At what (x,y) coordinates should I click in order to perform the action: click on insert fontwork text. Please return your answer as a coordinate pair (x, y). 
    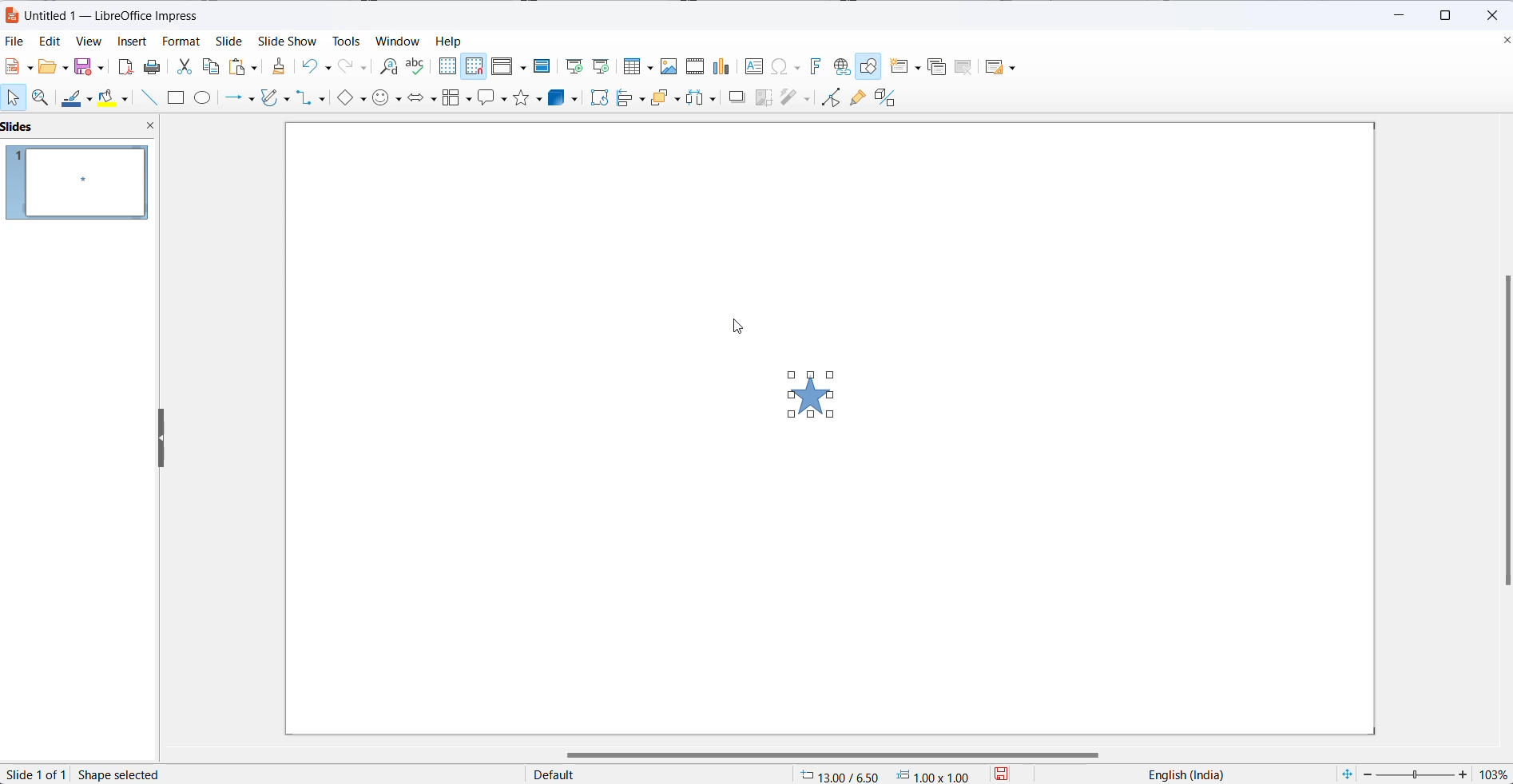
    Looking at the image, I should click on (812, 66).